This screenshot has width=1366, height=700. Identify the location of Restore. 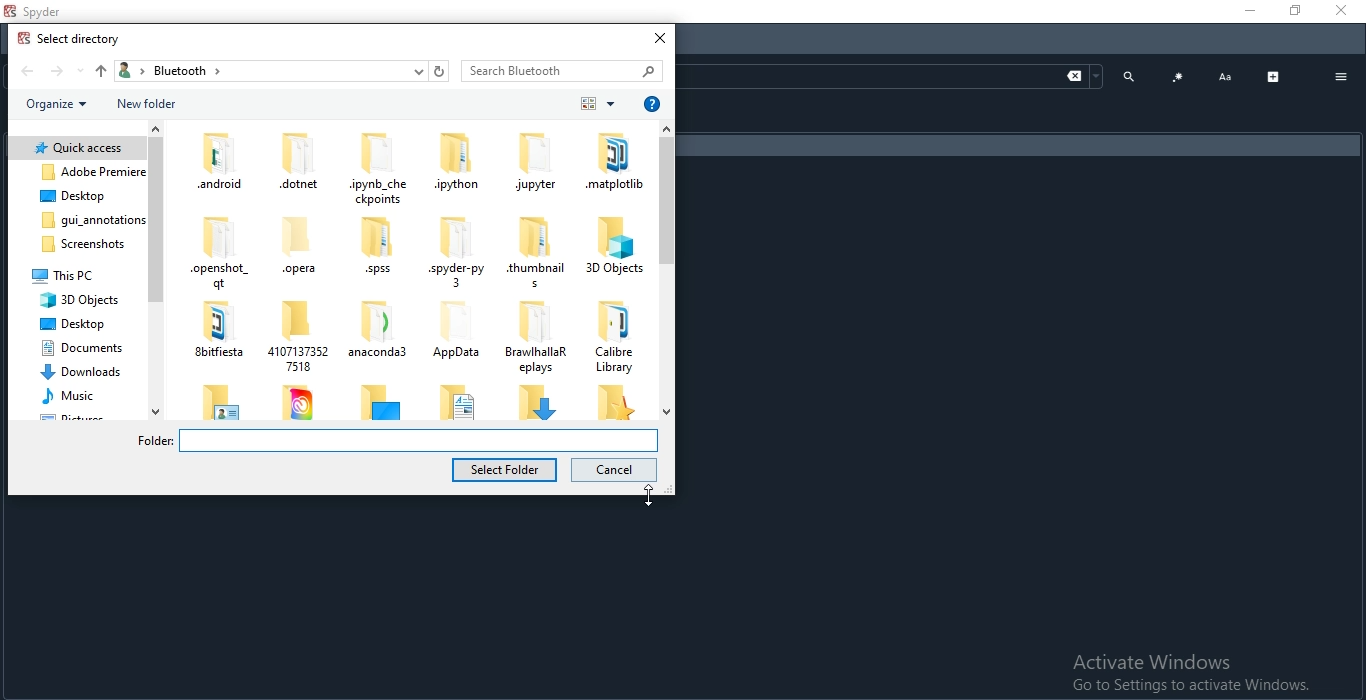
(1292, 11).